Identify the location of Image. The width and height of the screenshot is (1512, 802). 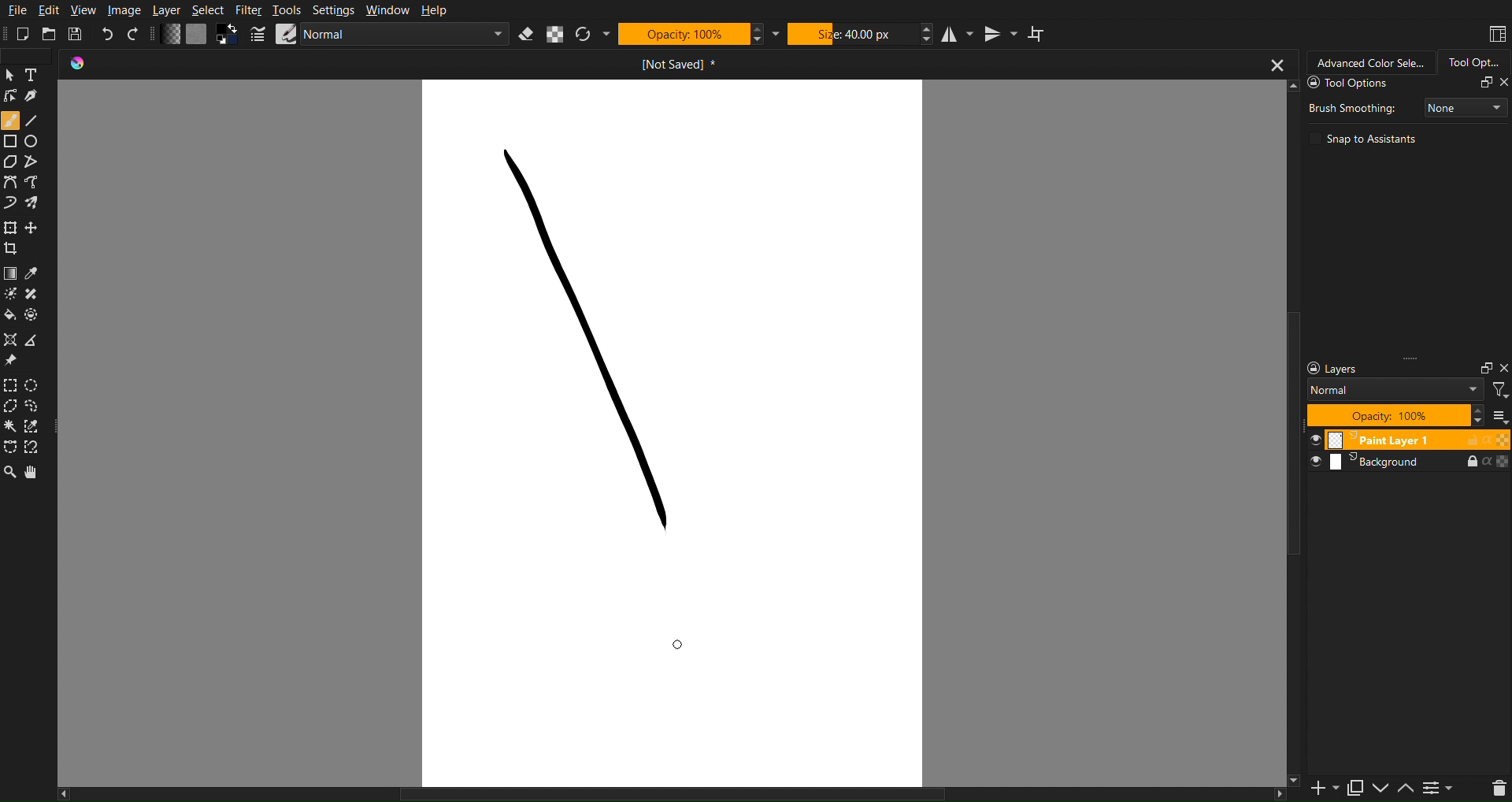
(124, 9).